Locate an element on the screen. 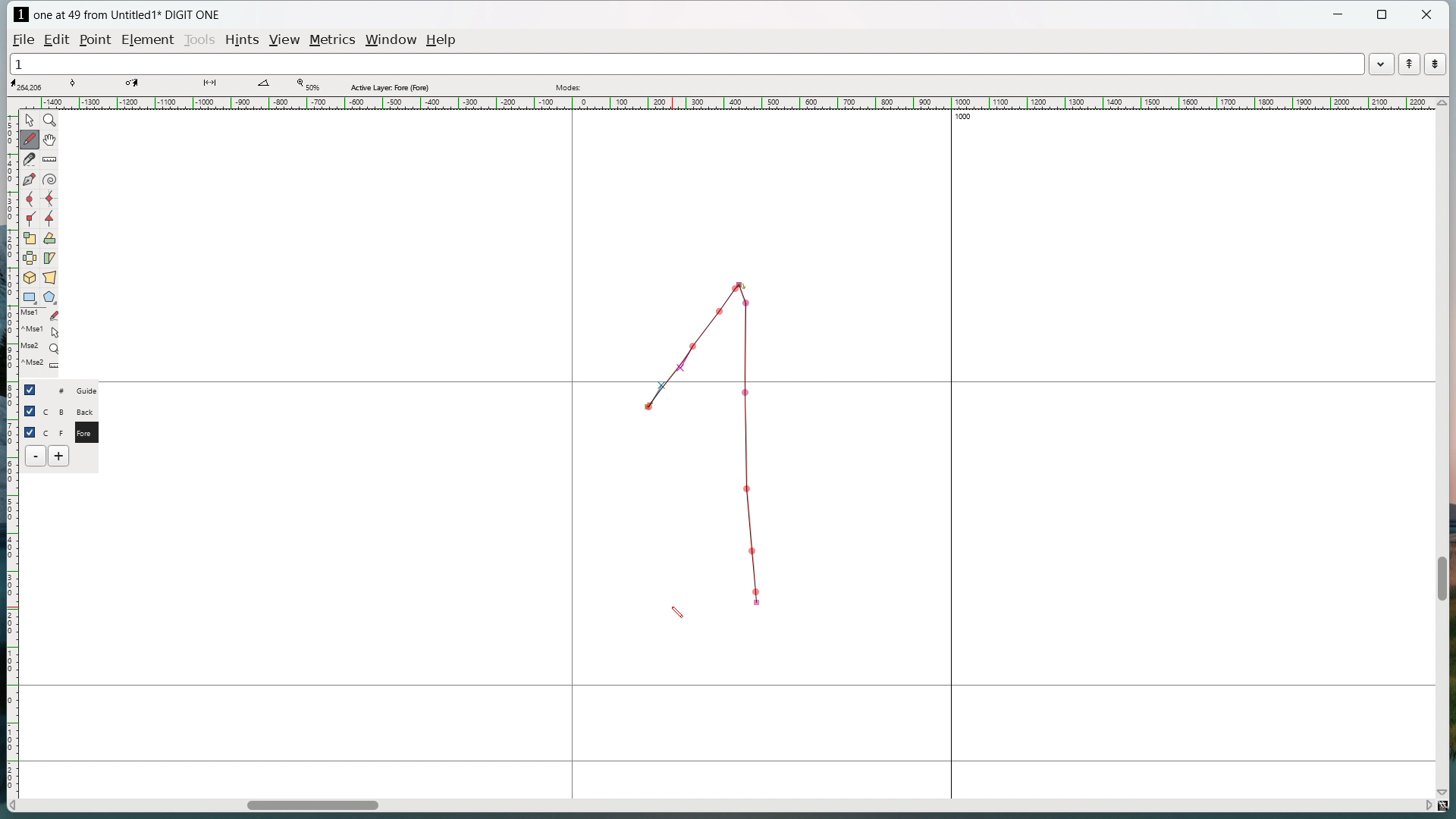  delete layer is located at coordinates (36, 456).